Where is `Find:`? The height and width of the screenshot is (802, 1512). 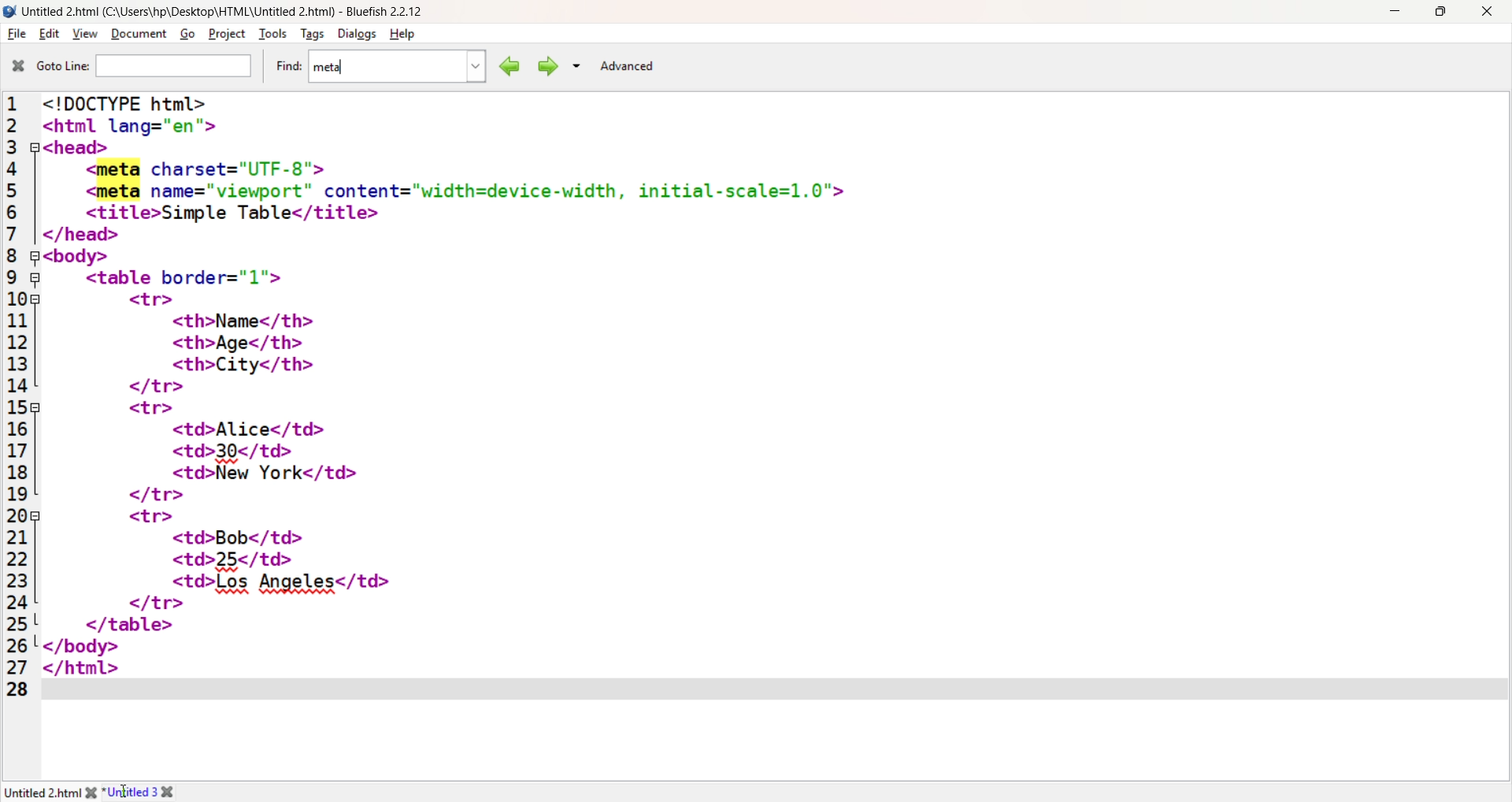 Find: is located at coordinates (286, 66).